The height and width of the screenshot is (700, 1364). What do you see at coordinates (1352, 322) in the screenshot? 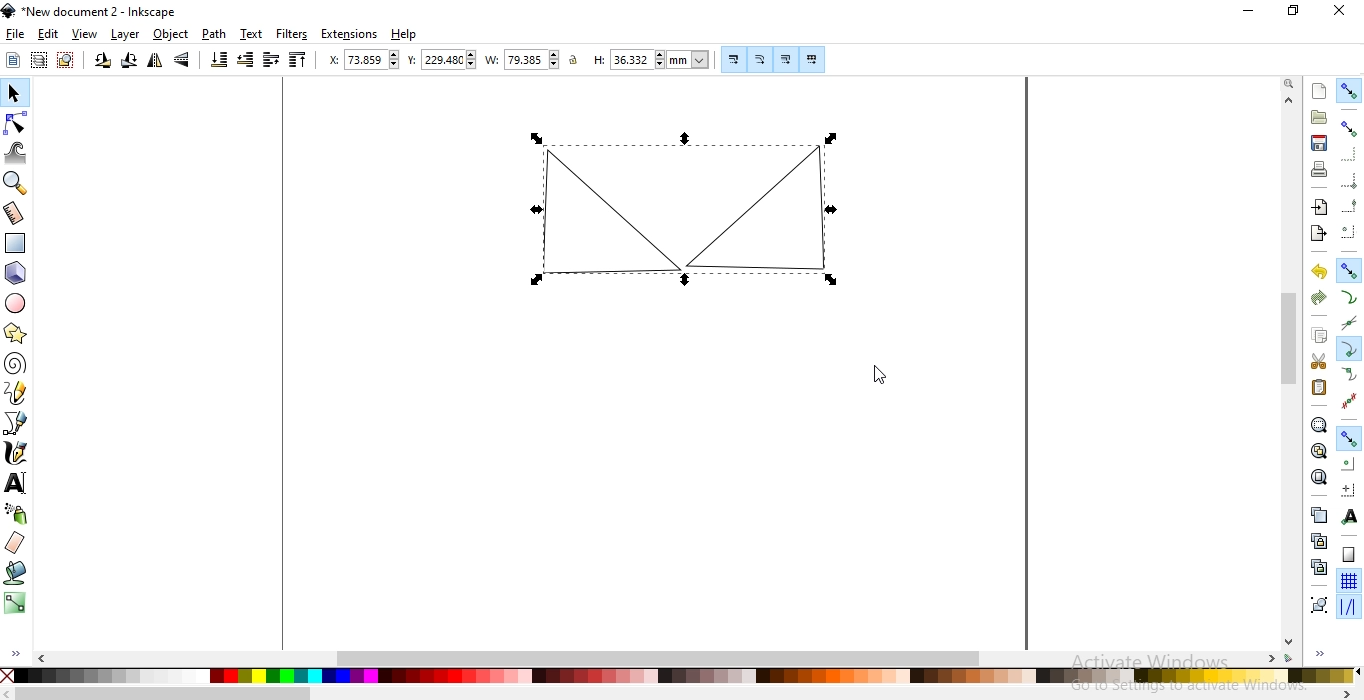
I see `snap to path intersections` at bounding box center [1352, 322].